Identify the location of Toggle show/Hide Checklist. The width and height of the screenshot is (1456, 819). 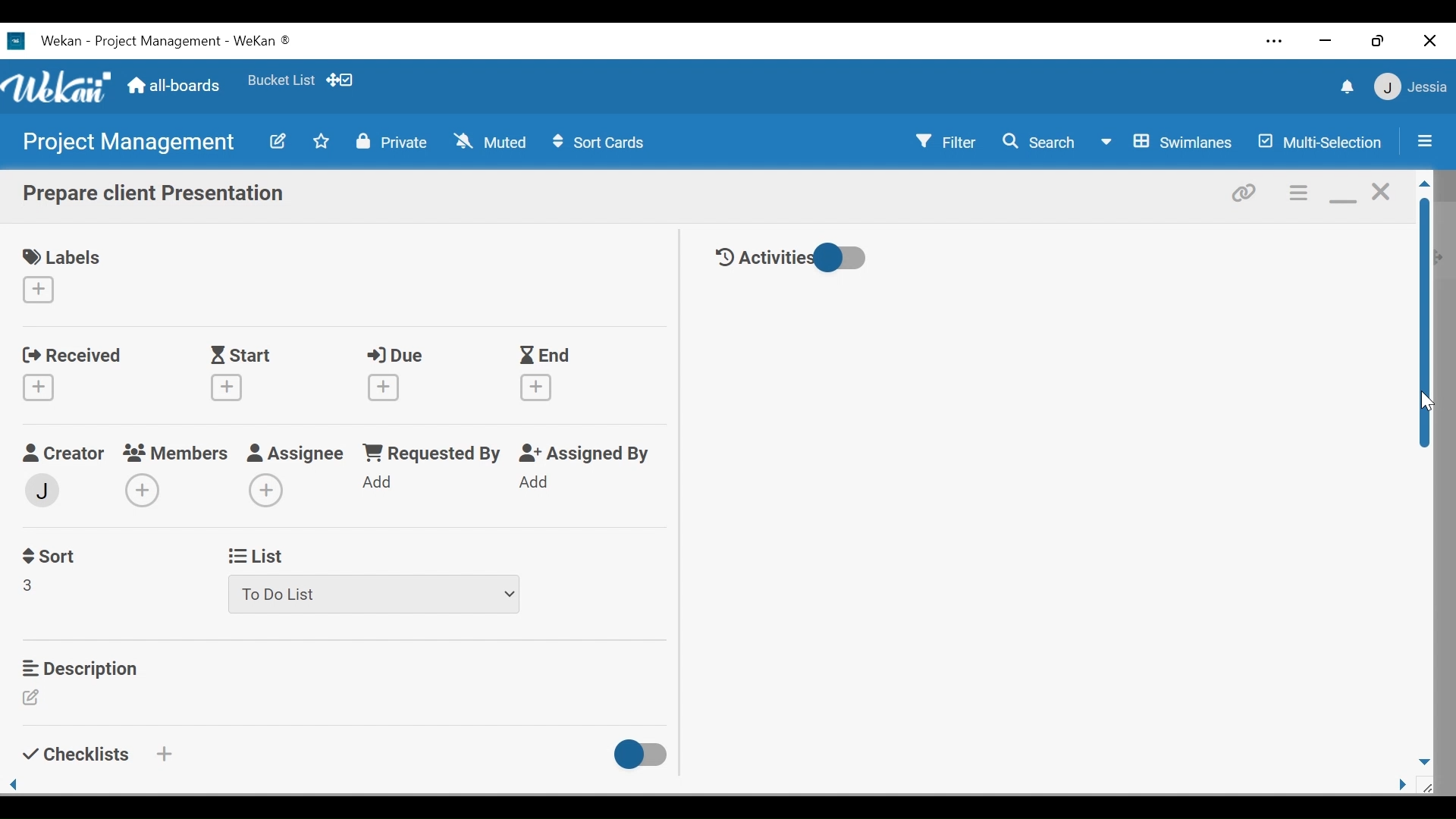
(638, 755).